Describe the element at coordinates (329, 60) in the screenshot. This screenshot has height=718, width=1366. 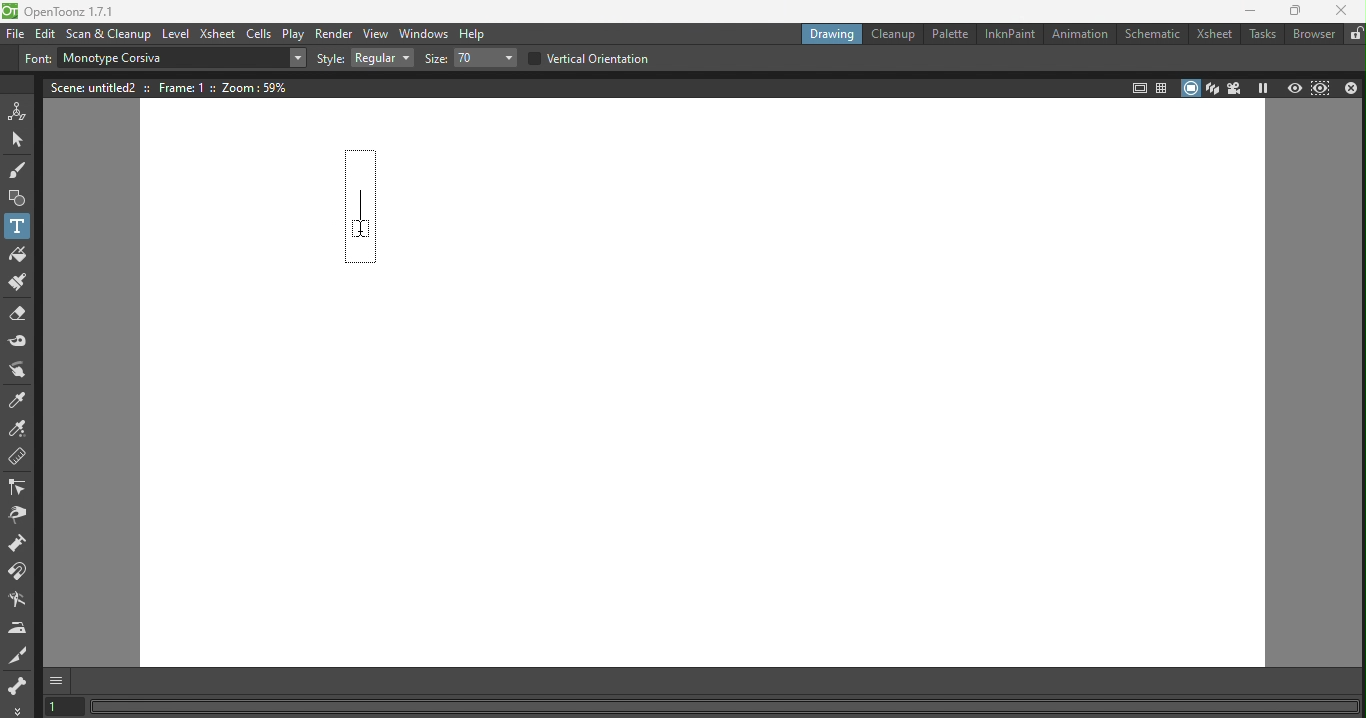
I see `Style` at that location.